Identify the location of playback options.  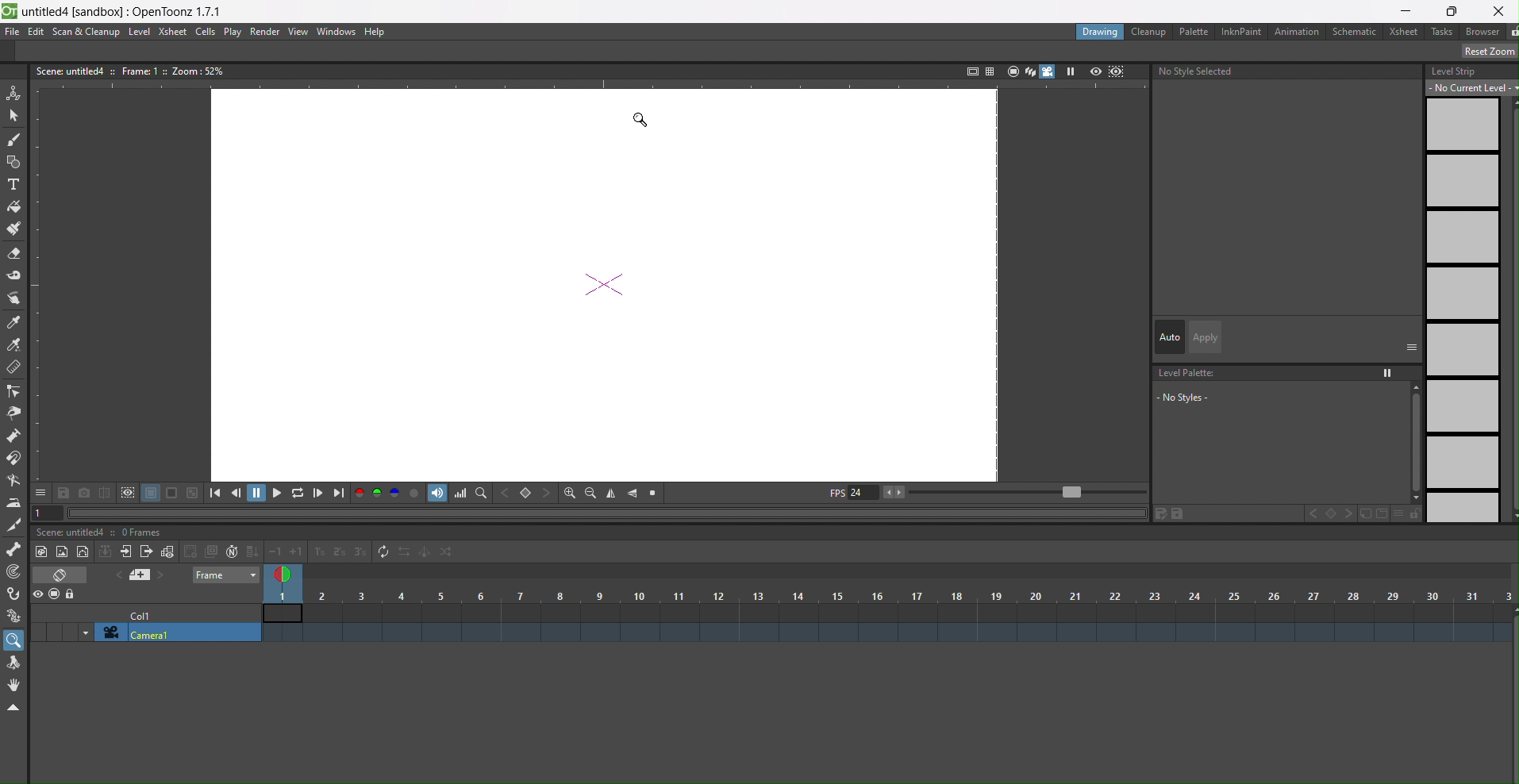
(278, 493).